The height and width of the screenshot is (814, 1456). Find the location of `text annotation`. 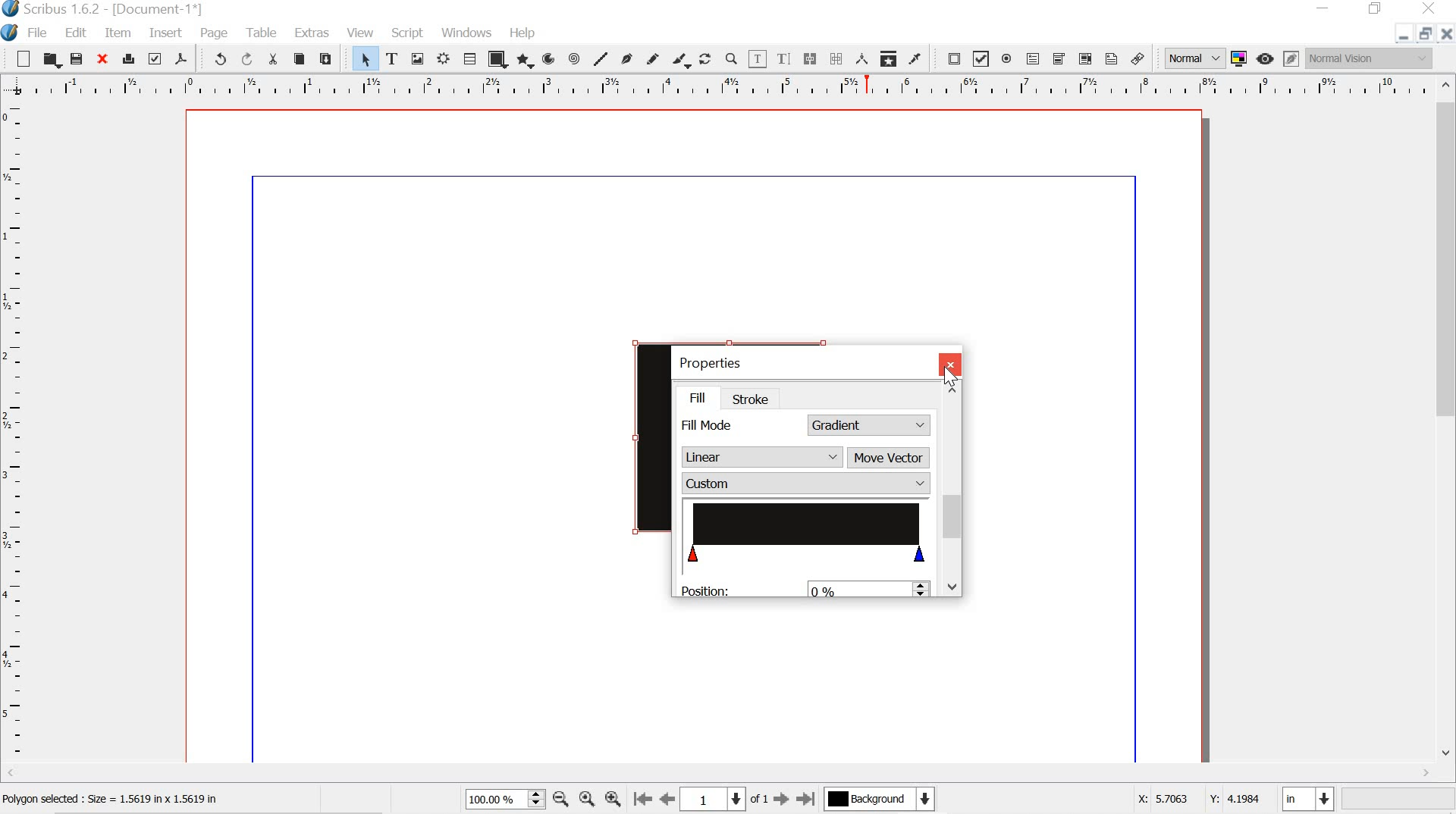

text annotation is located at coordinates (1110, 58).